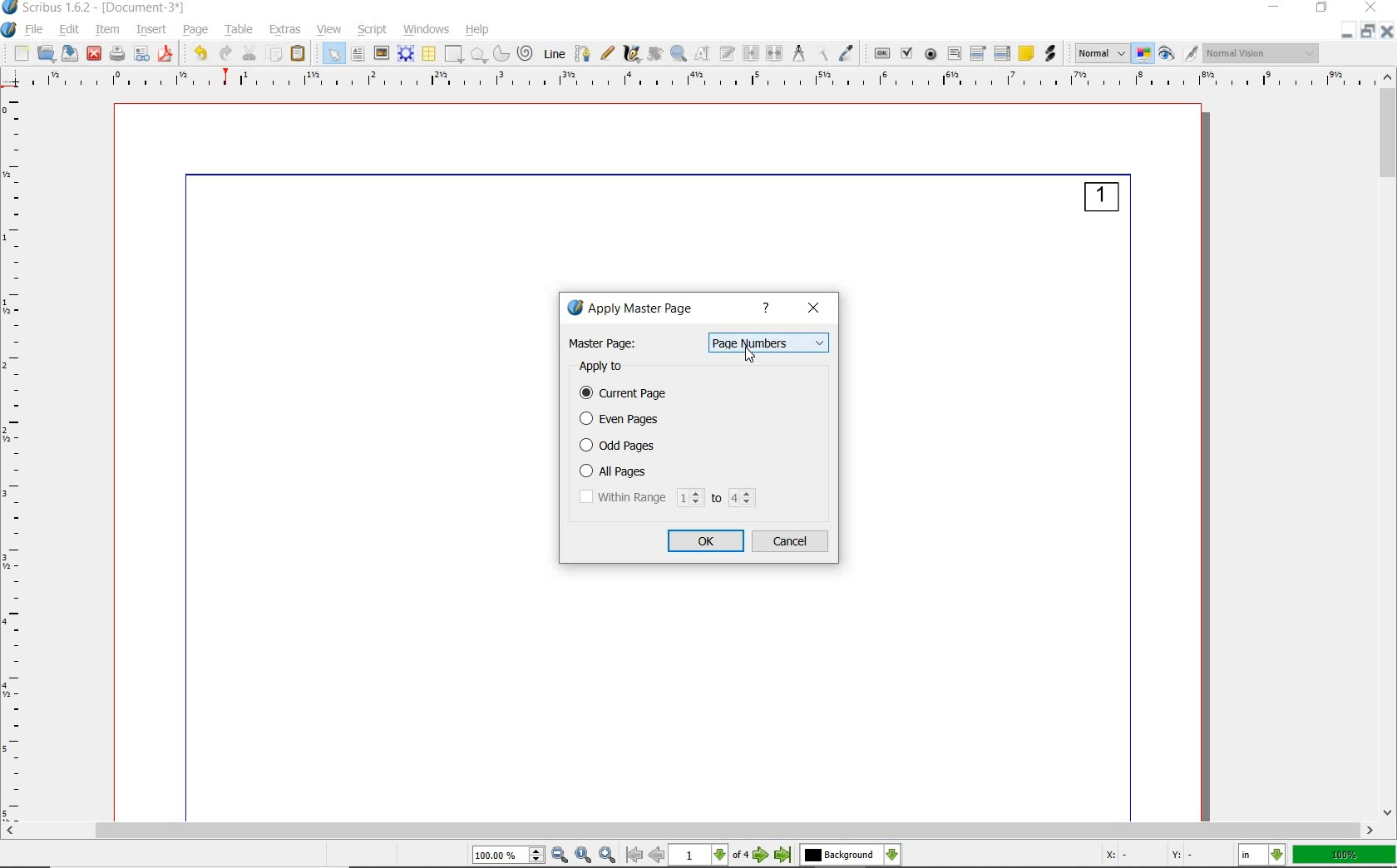 The height and width of the screenshot is (868, 1397). Describe the element at coordinates (748, 356) in the screenshot. I see `Cursor` at that location.